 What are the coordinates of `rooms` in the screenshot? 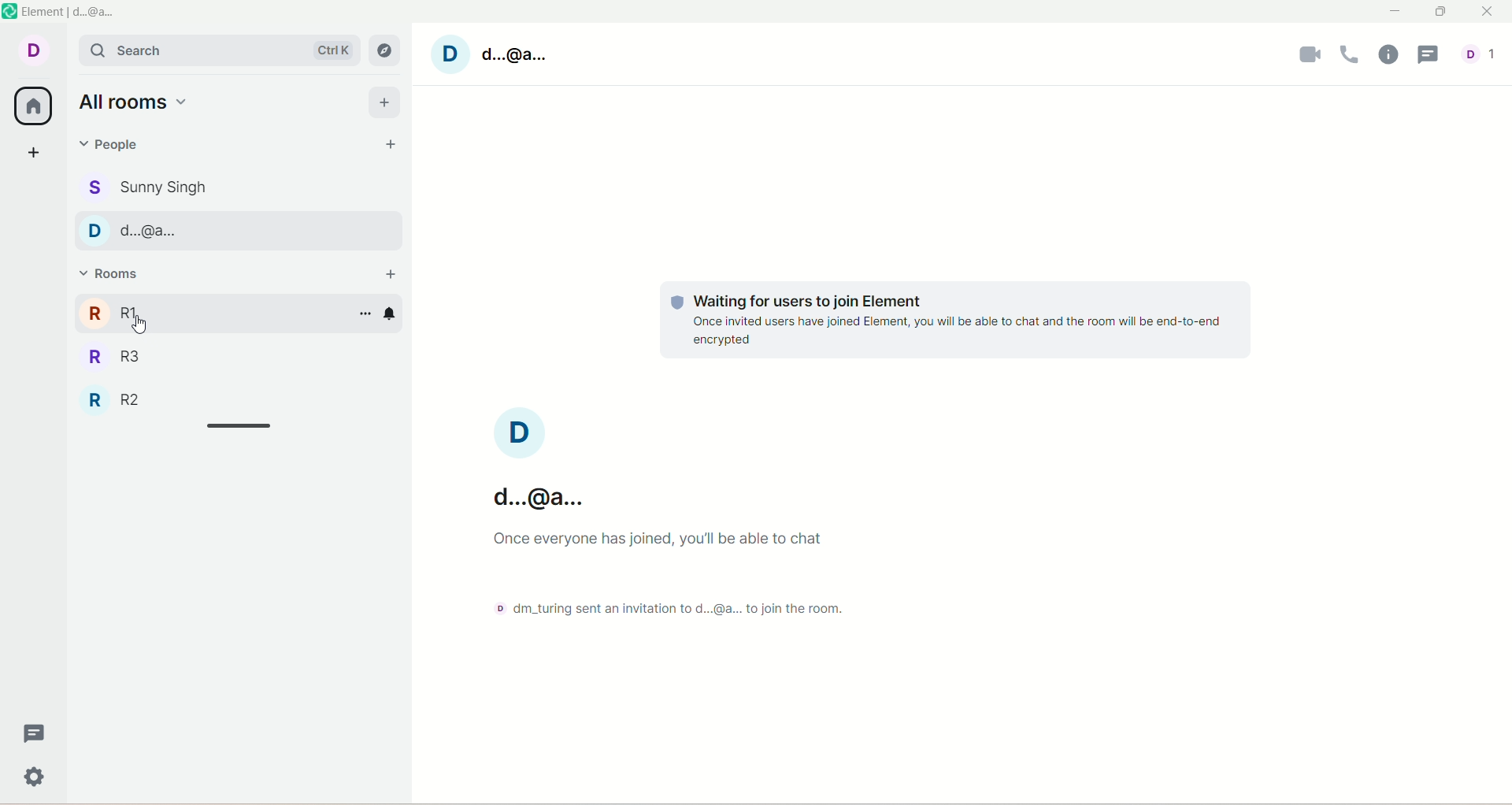 It's located at (114, 273).